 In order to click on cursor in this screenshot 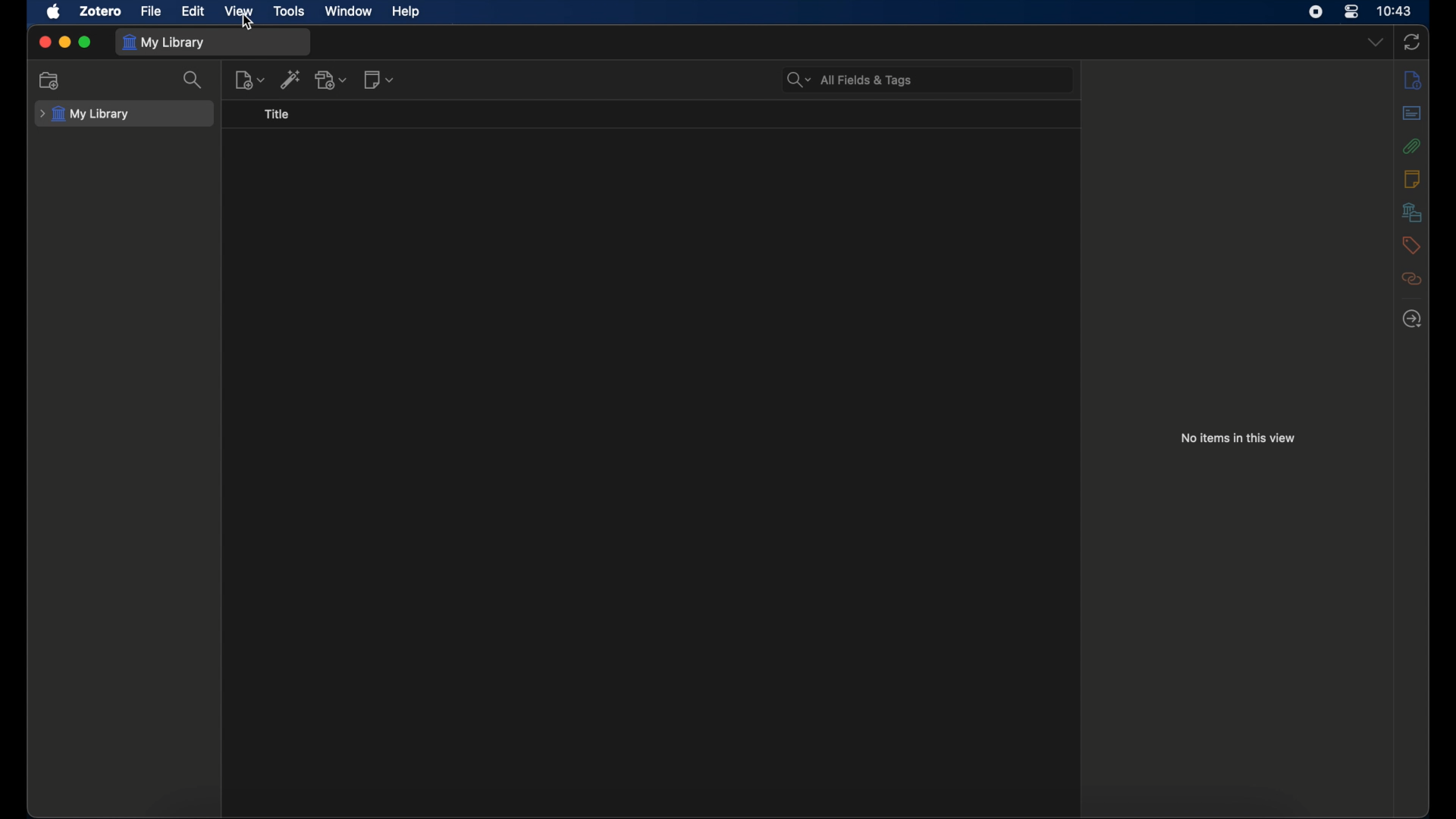, I will do `click(247, 25)`.